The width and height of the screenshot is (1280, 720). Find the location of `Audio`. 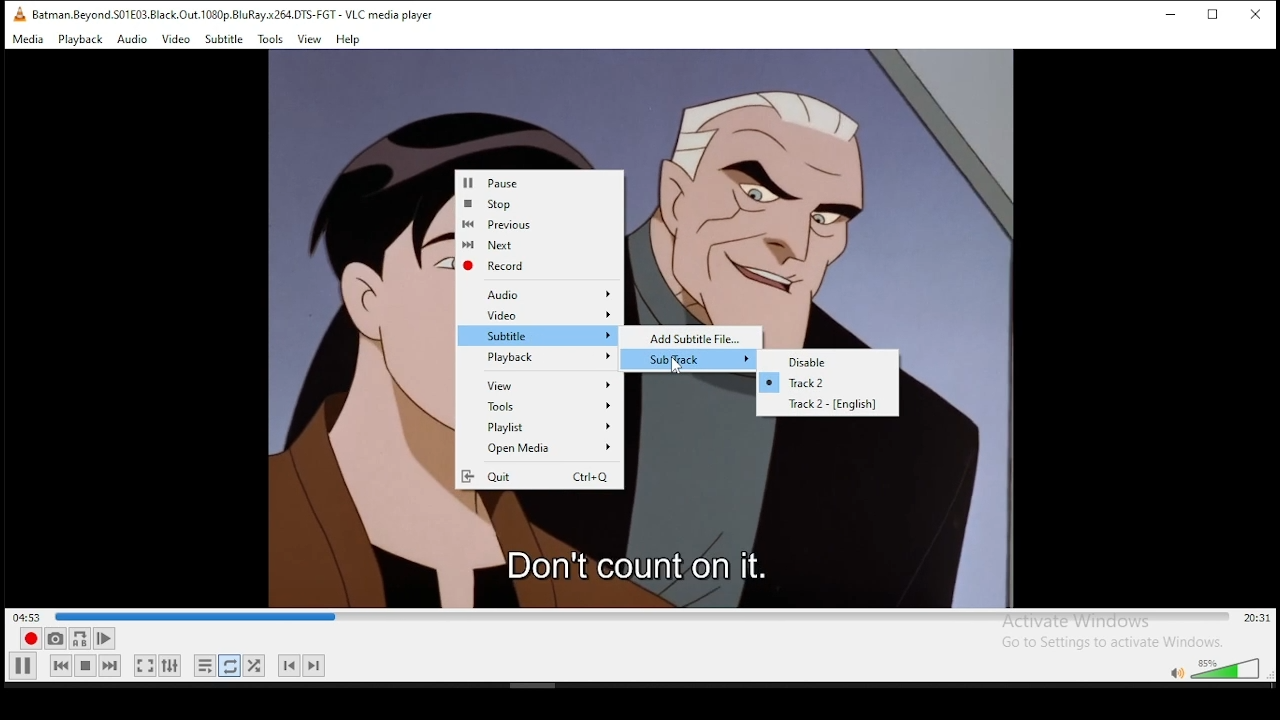

Audio is located at coordinates (132, 41).